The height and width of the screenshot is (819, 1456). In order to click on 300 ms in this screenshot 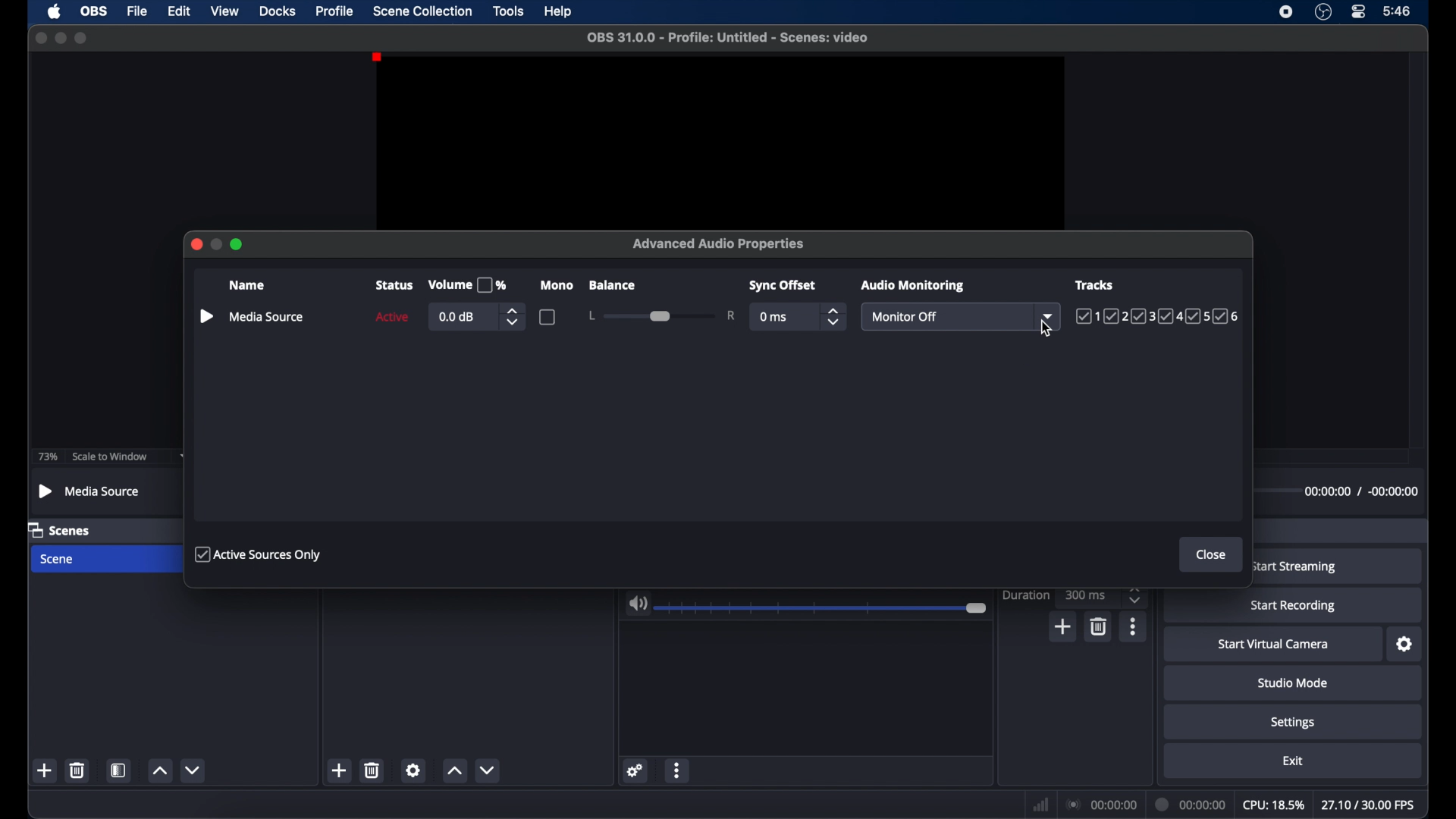, I will do `click(1087, 595)`.